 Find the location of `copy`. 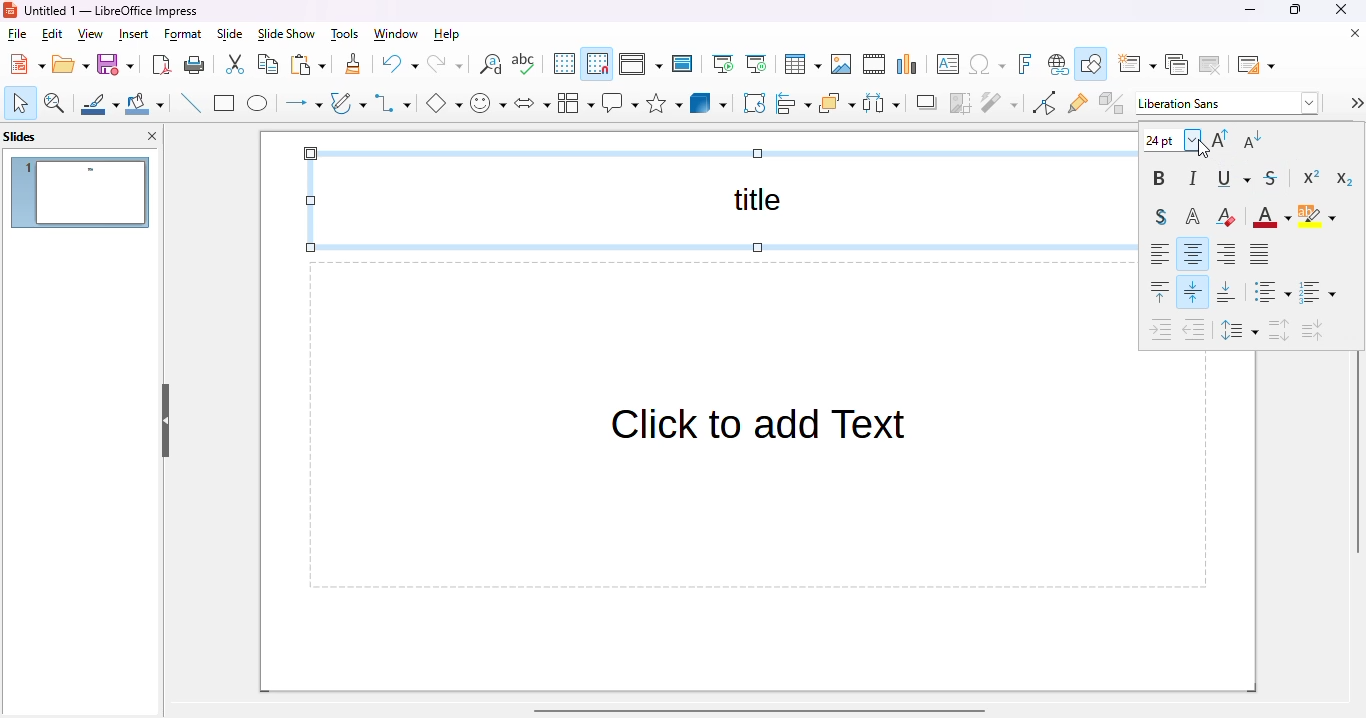

copy is located at coordinates (268, 64).